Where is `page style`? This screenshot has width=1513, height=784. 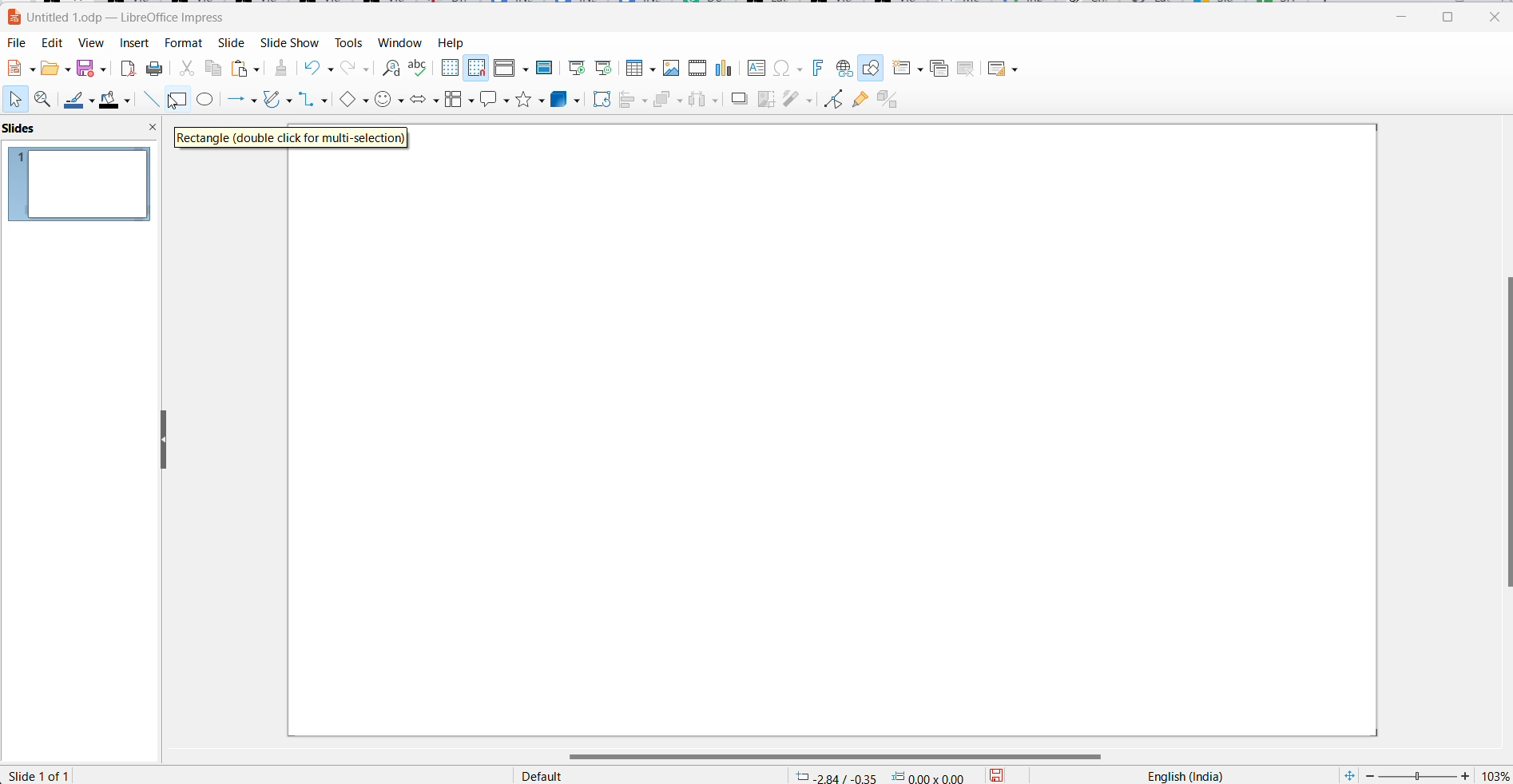 page style is located at coordinates (645, 774).